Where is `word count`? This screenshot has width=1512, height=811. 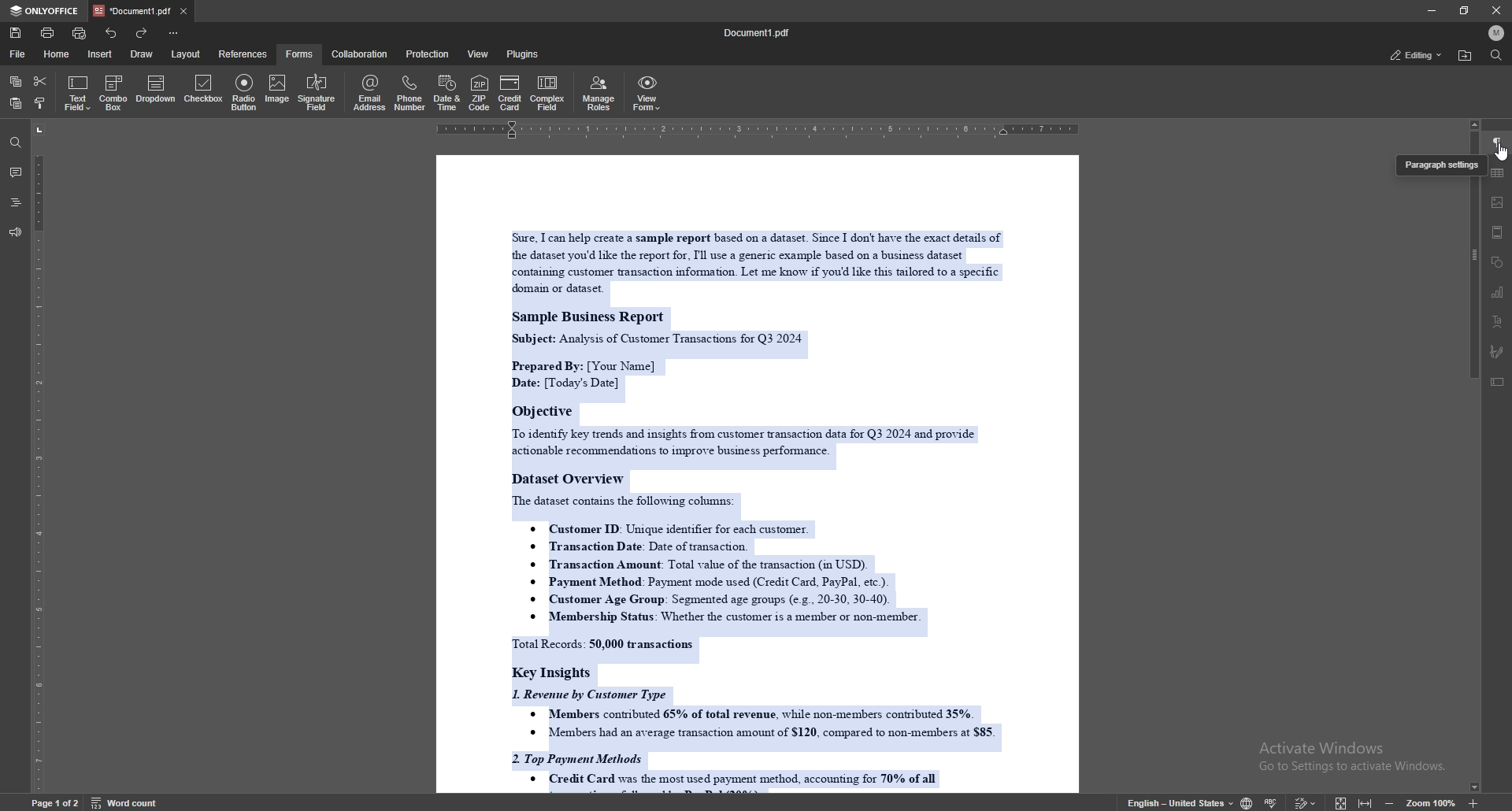
word count is located at coordinates (123, 802).